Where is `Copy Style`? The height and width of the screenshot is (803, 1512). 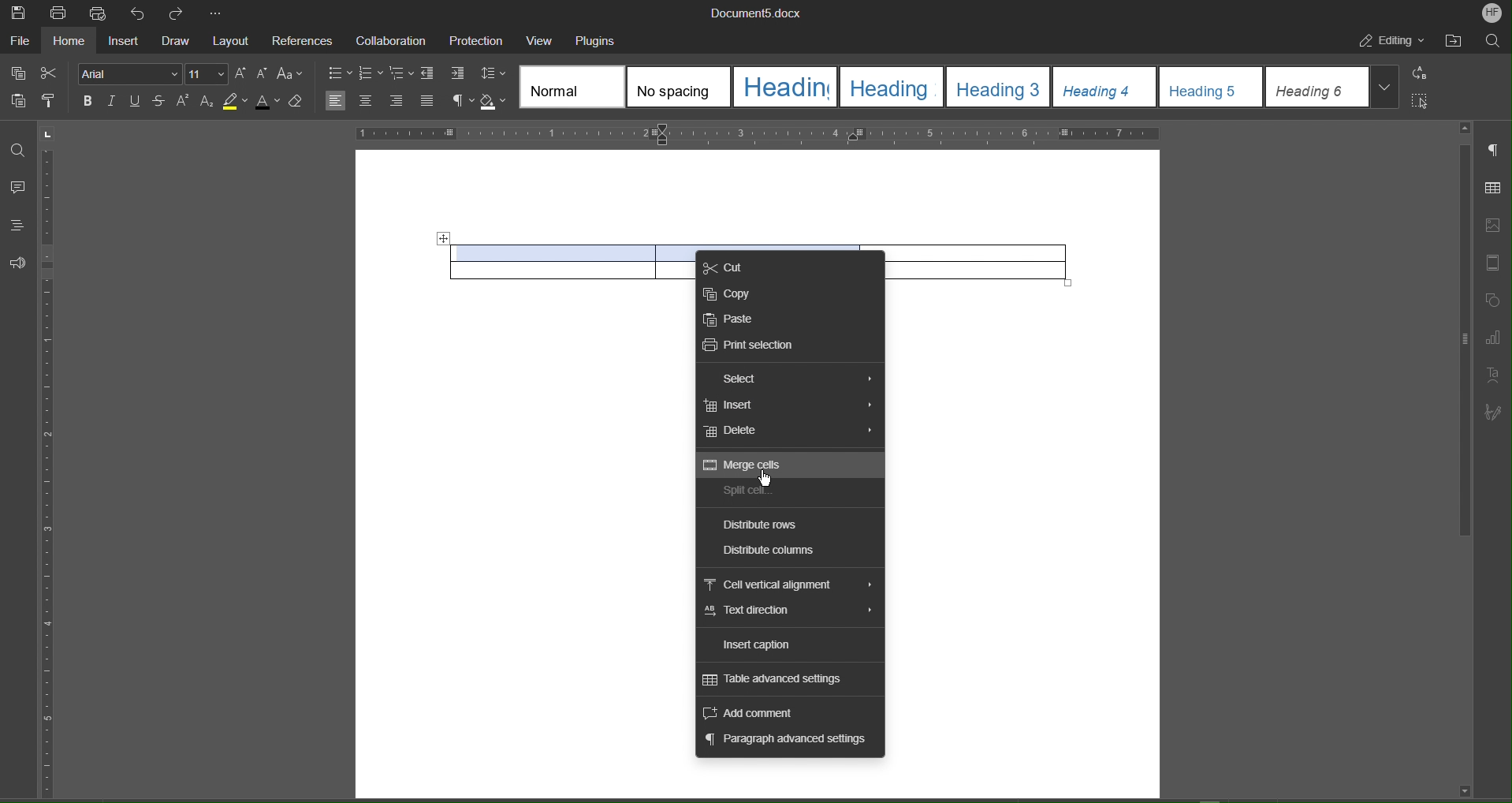 Copy Style is located at coordinates (53, 103).